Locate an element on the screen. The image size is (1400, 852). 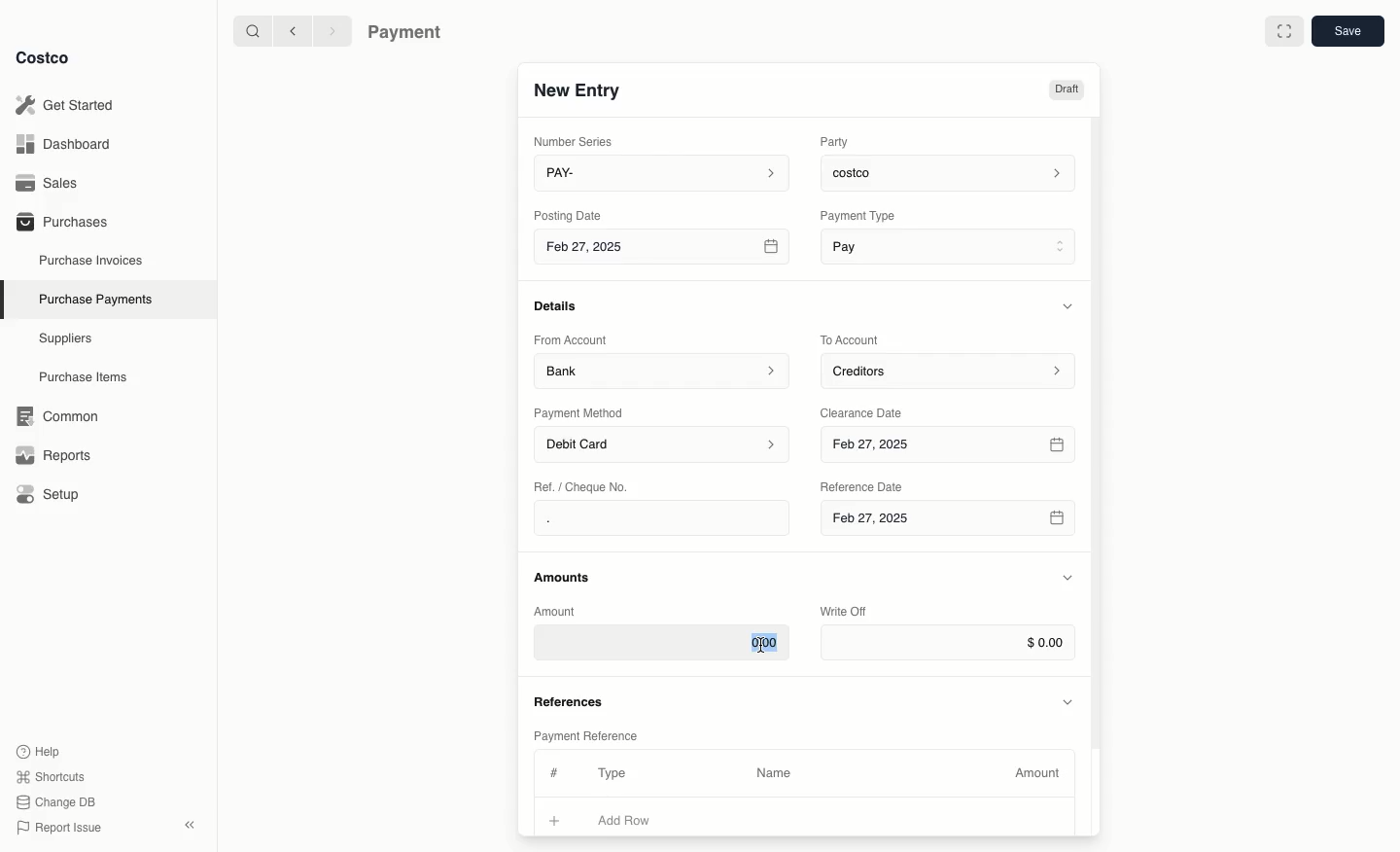
Dashboard is located at coordinates (69, 143).